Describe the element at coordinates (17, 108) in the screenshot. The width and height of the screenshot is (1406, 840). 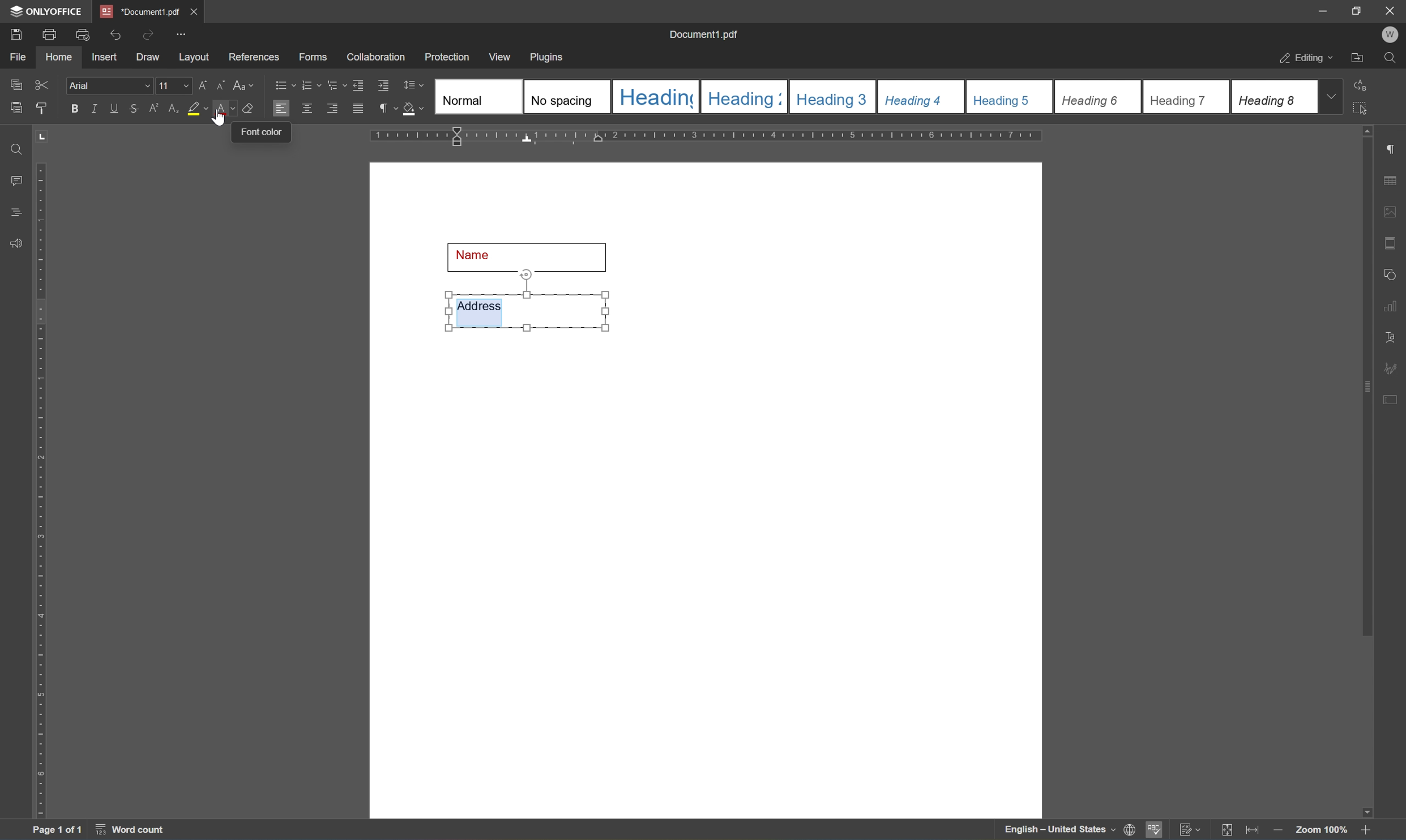
I see `copy` at that location.